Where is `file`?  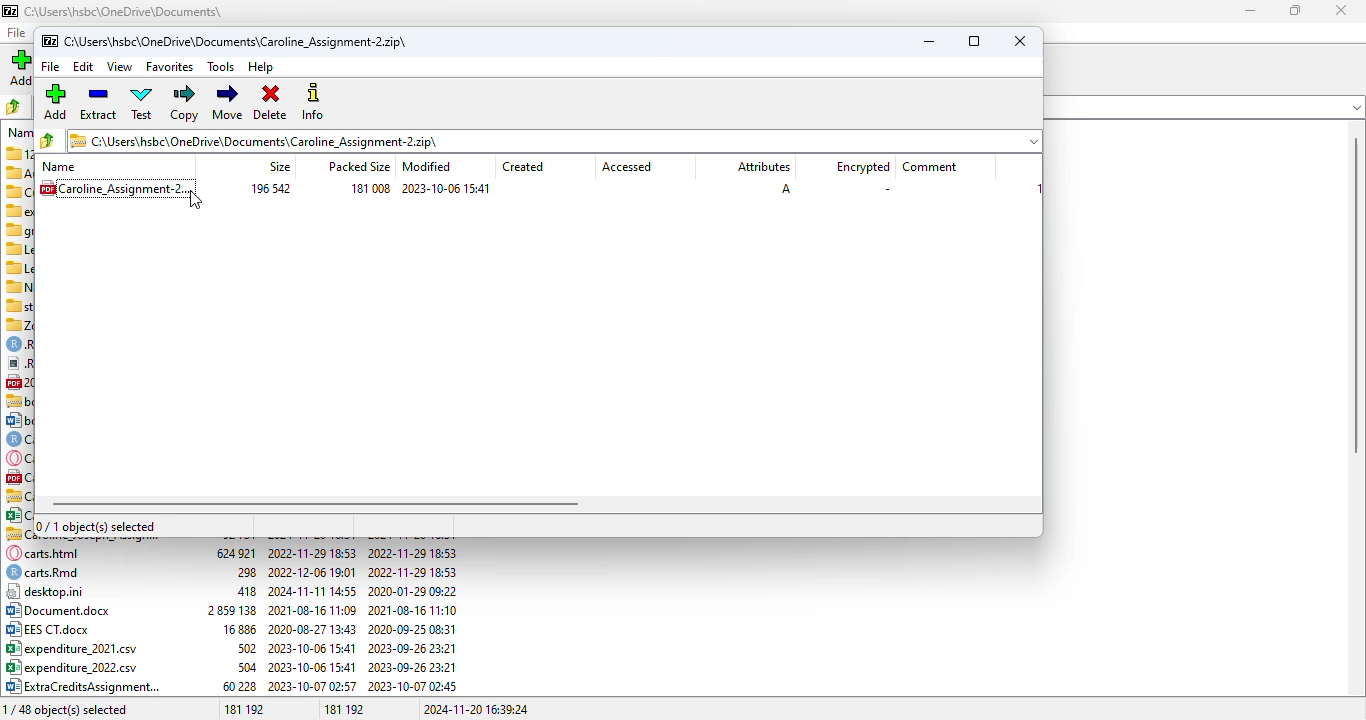 file is located at coordinates (50, 67).